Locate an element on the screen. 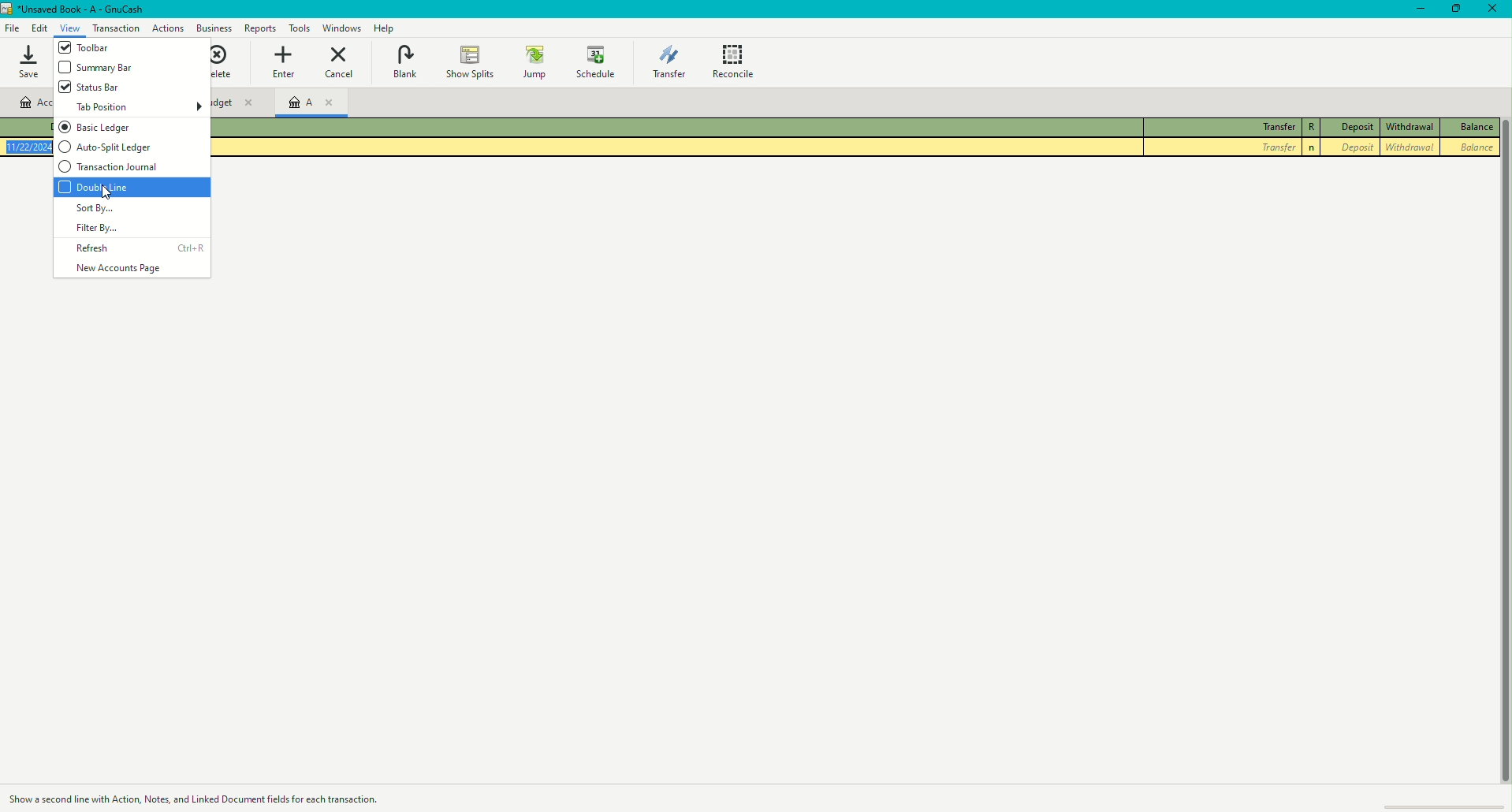 This screenshot has width=1512, height=812. Schedule is located at coordinates (600, 63).